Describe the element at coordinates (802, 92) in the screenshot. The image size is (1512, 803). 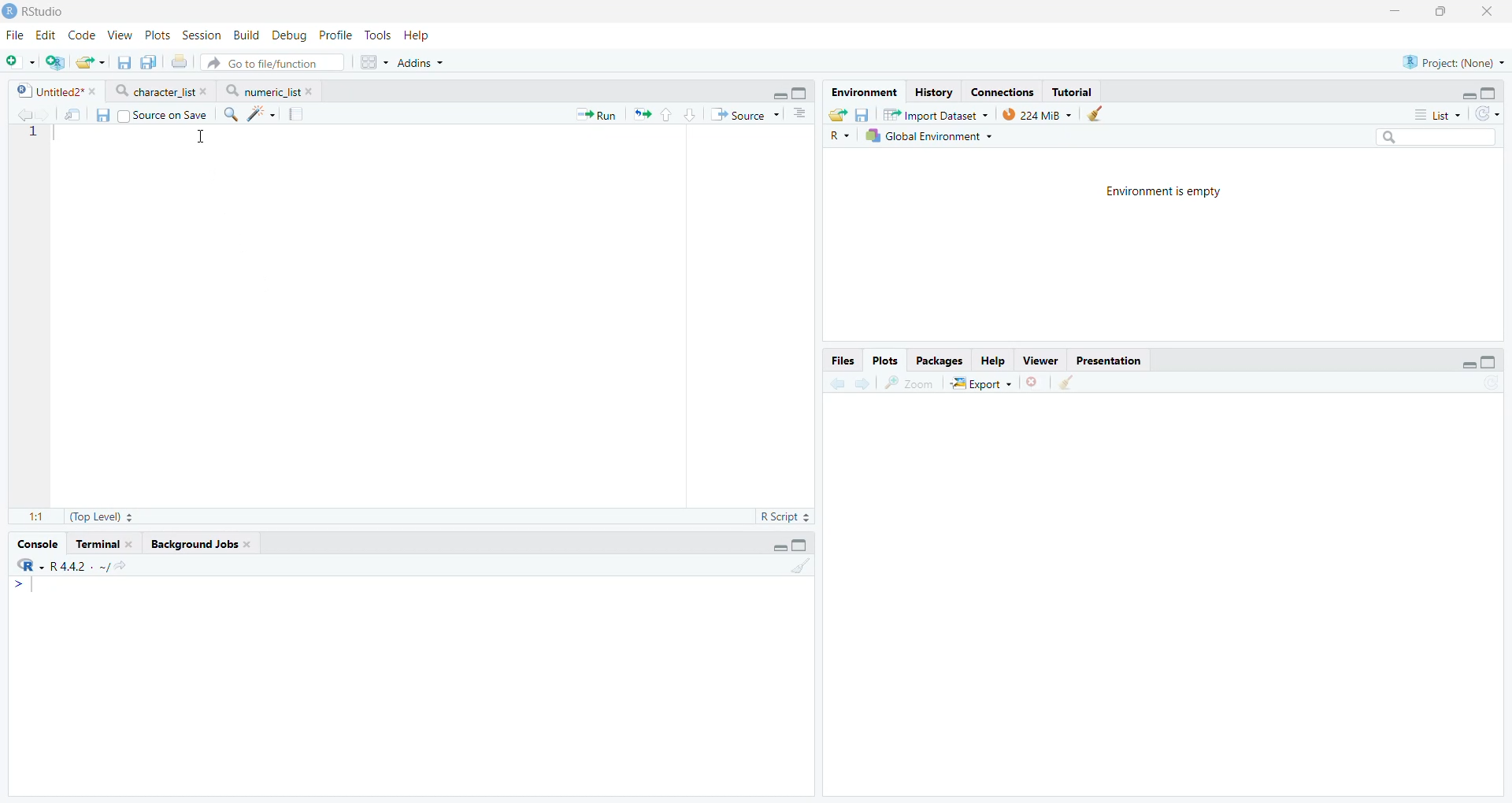
I see `Full Height` at that location.